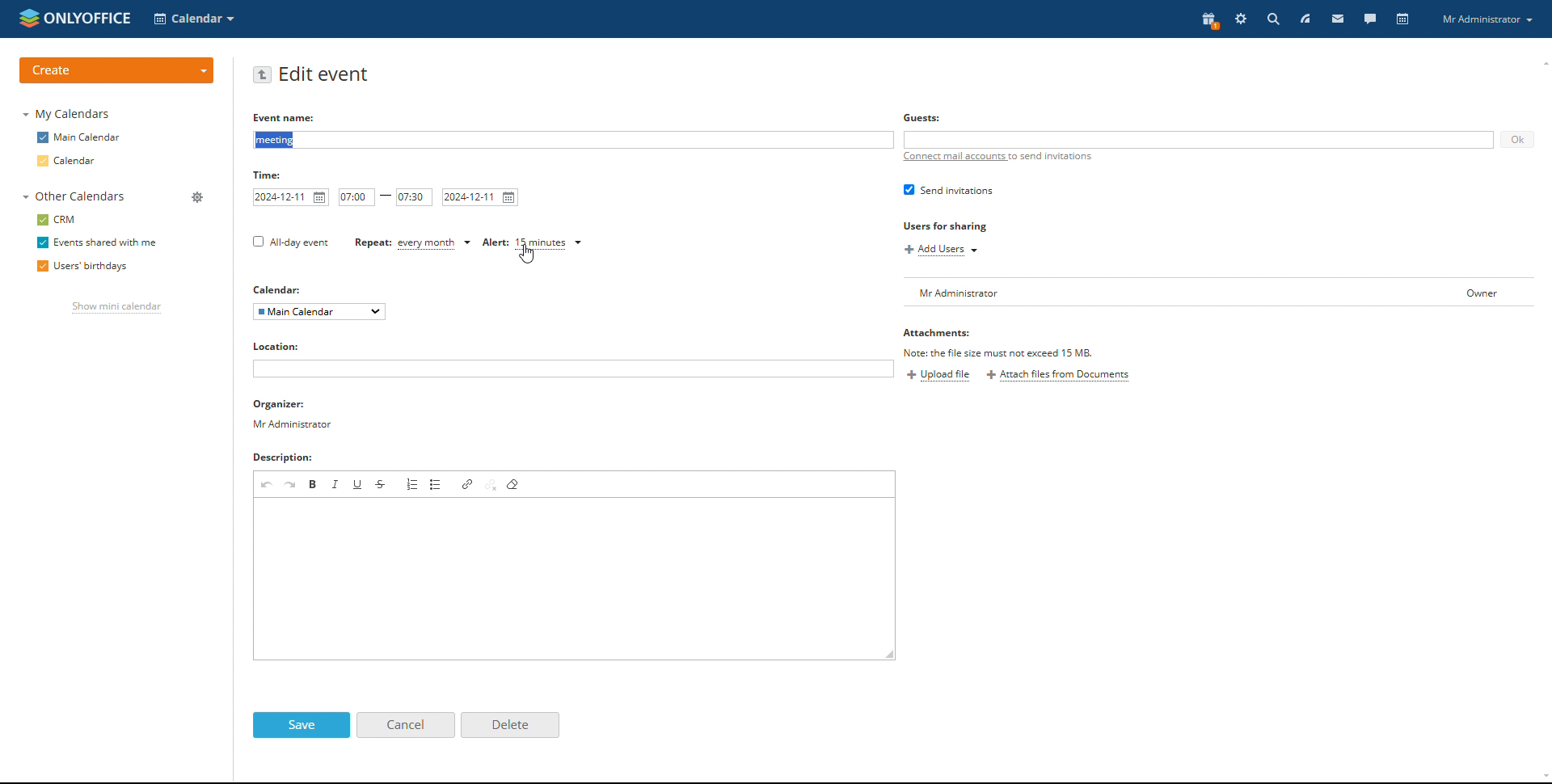 This screenshot has height=784, width=1552. What do you see at coordinates (940, 376) in the screenshot?
I see `upload file` at bounding box center [940, 376].